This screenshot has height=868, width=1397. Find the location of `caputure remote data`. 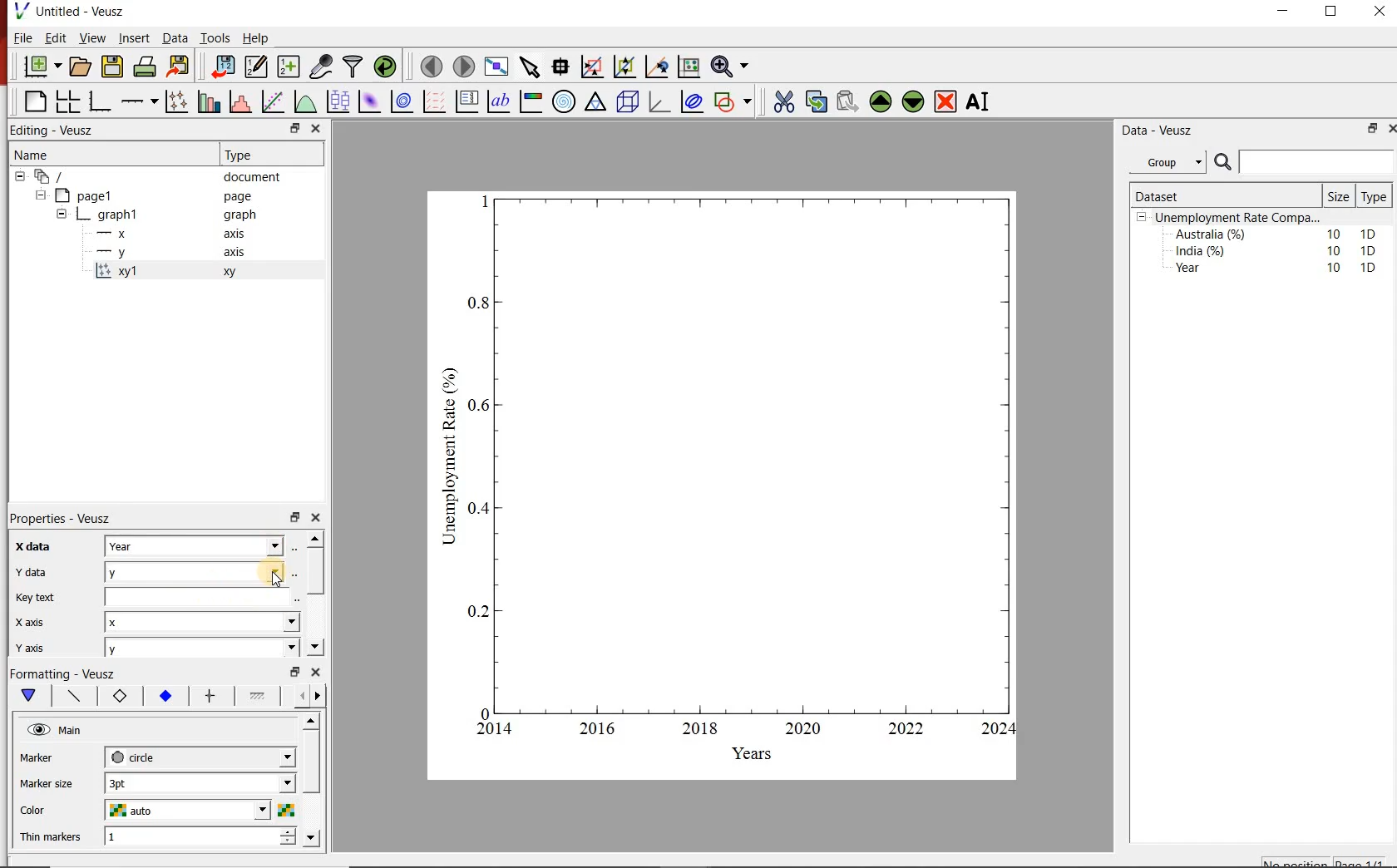

caputure remote data is located at coordinates (323, 66).